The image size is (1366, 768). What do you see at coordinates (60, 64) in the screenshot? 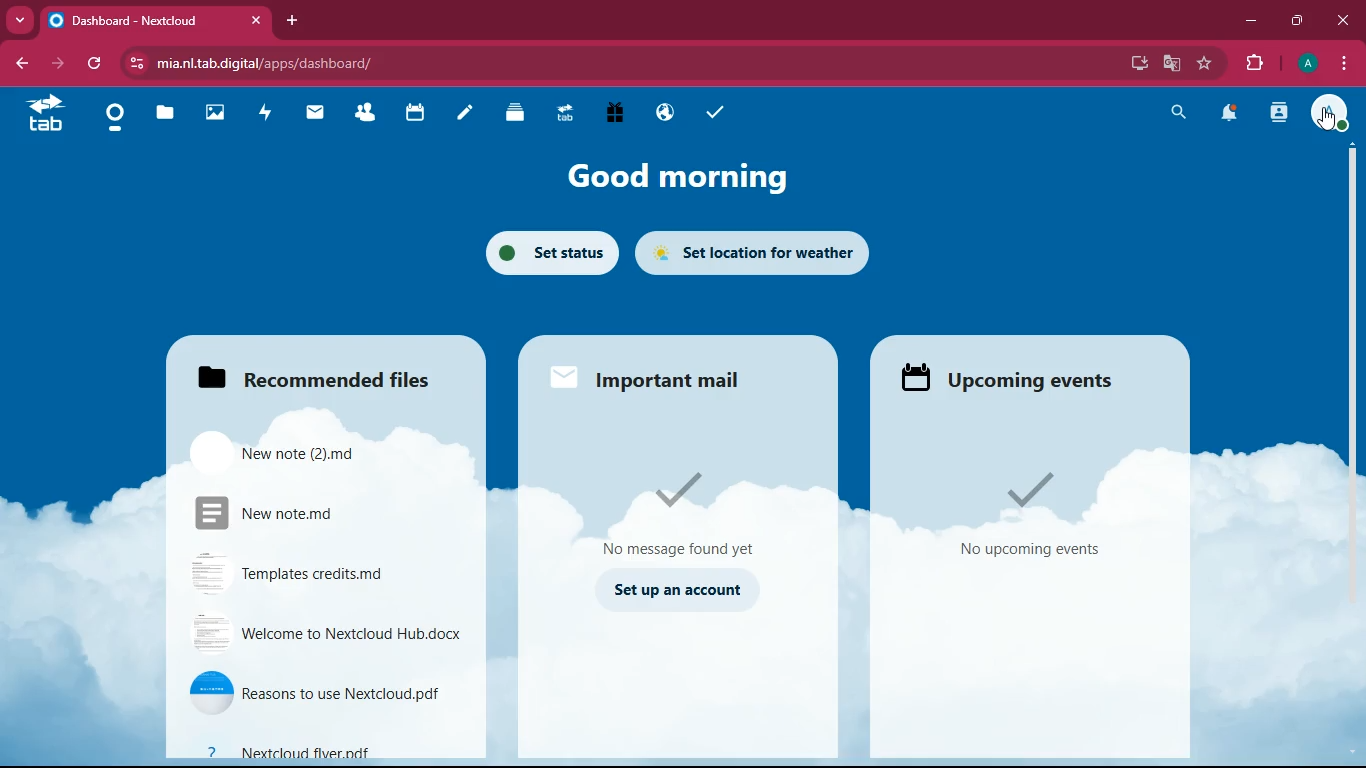
I see `forward` at bounding box center [60, 64].